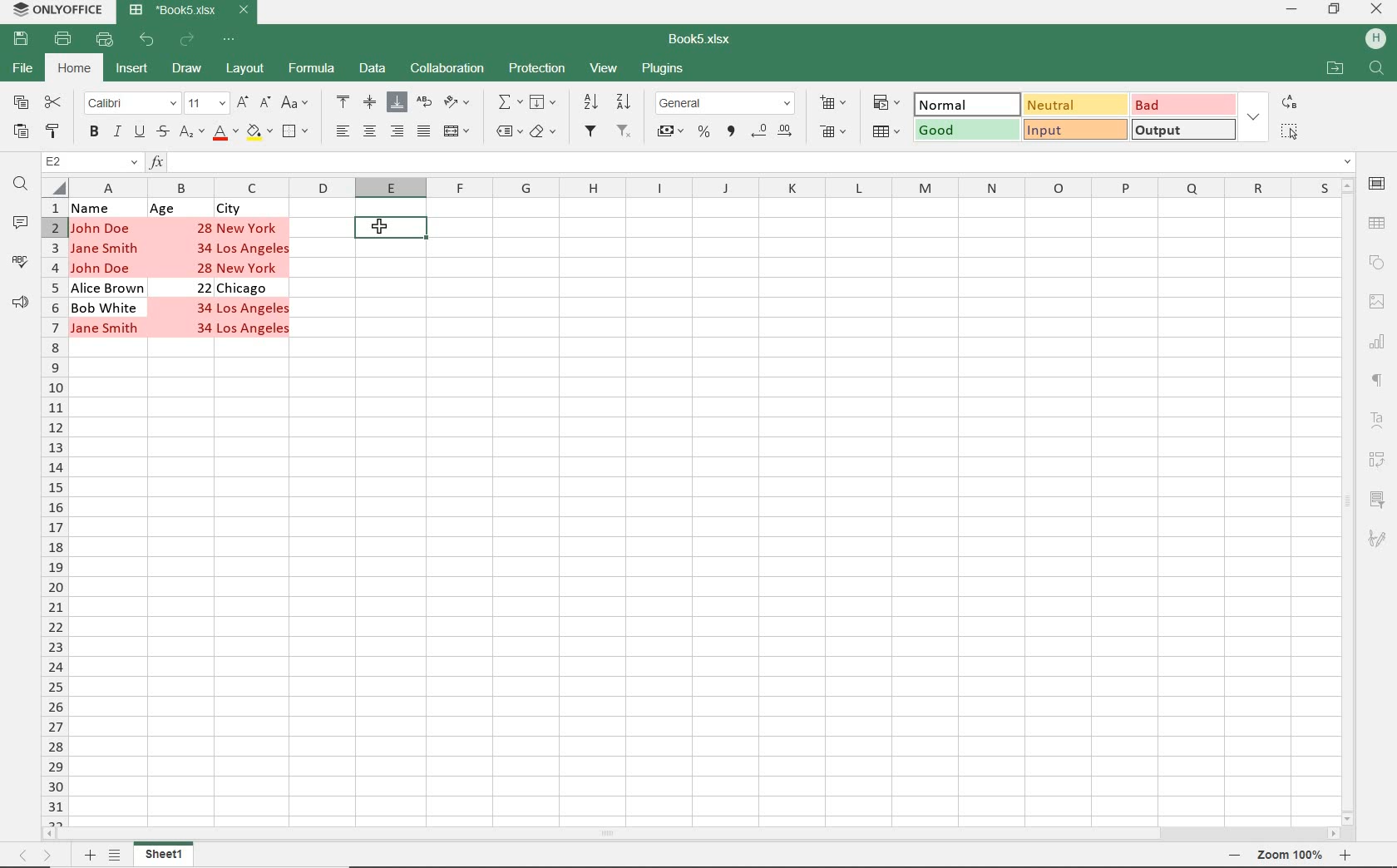 The image size is (1397, 868). Describe the element at coordinates (1184, 130) in the screenshot. I see `OUTPUT` at that location.